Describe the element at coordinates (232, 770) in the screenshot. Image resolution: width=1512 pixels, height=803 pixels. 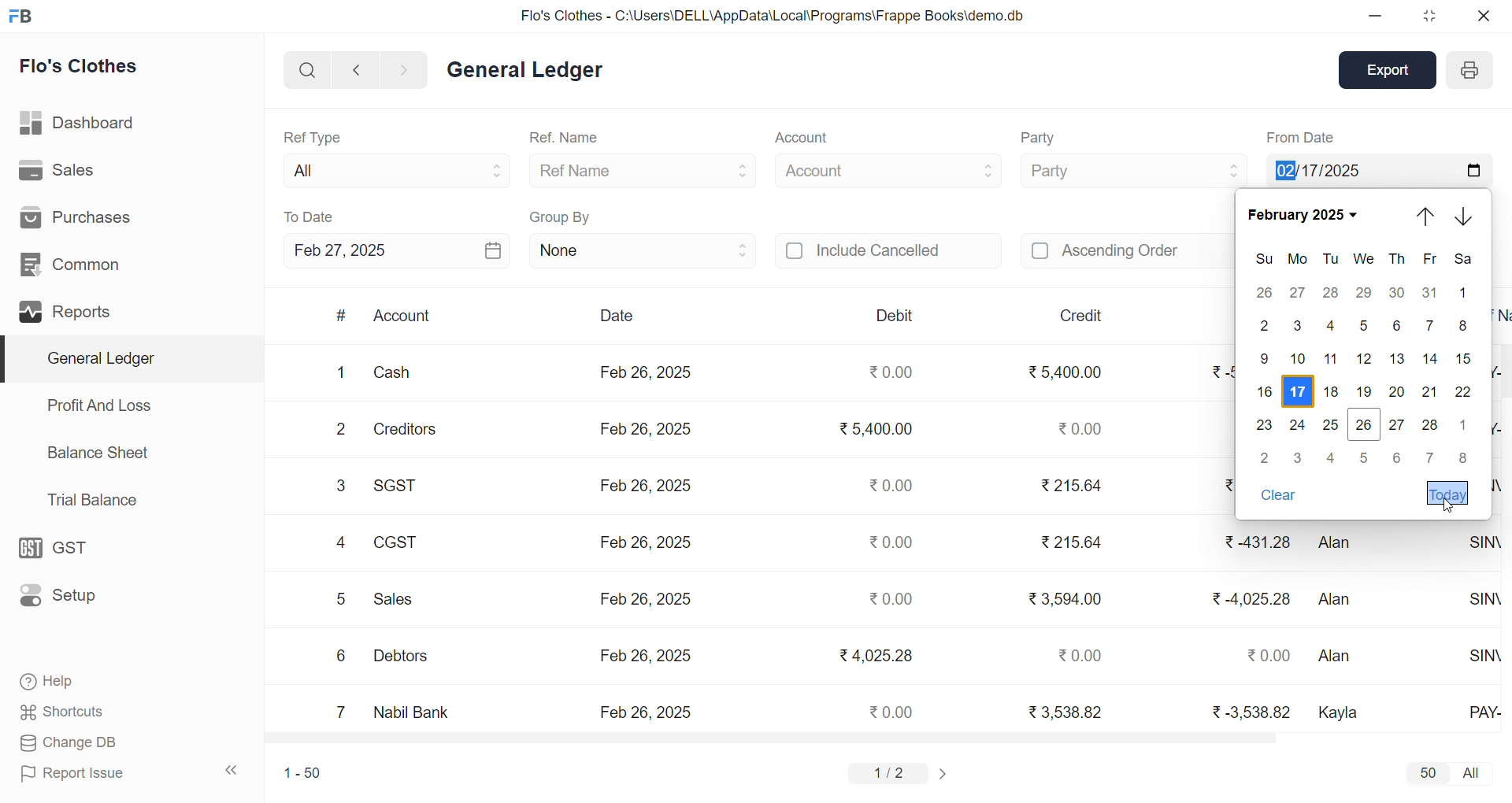
I see `COLLAPSE SIDE BAR` at that location.